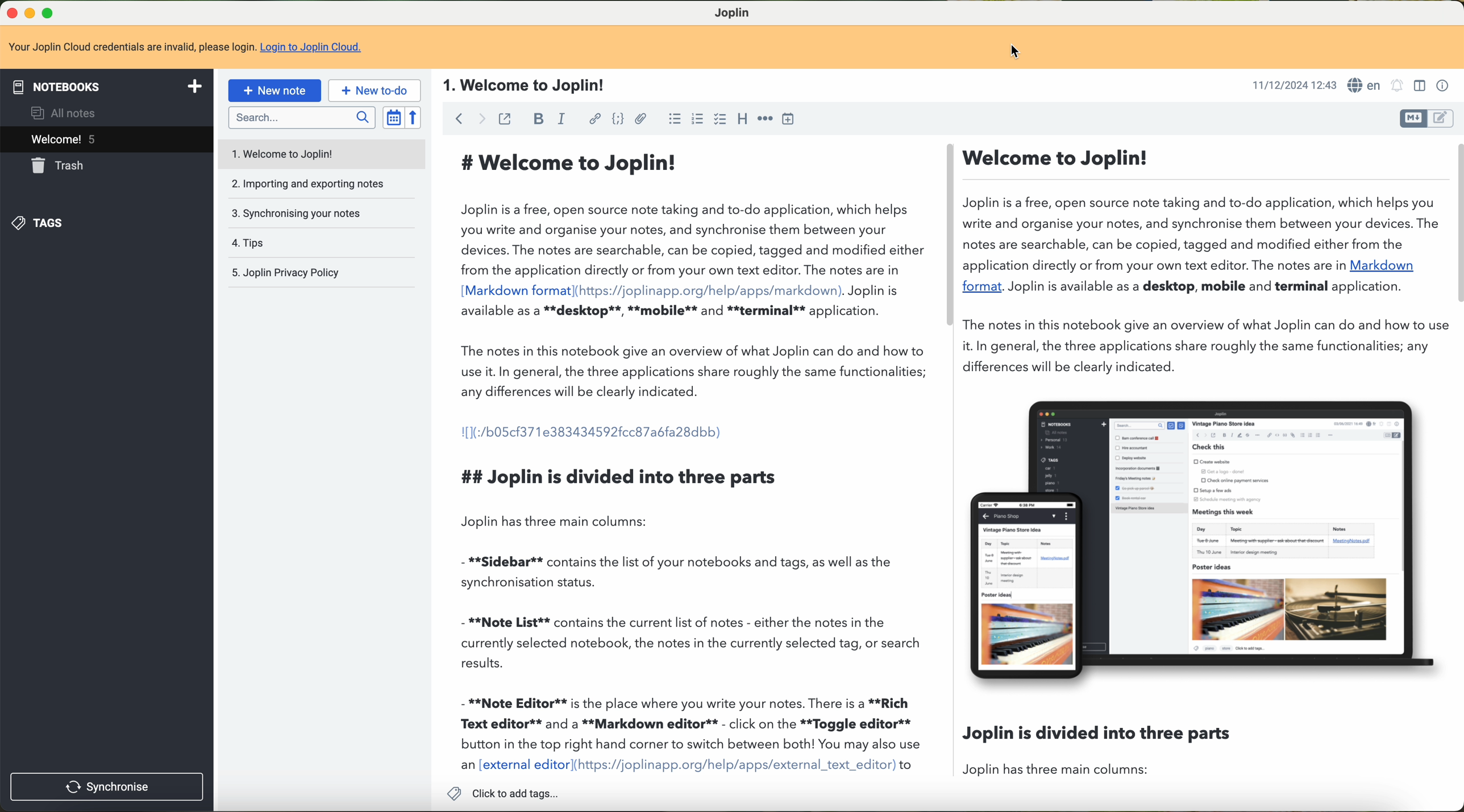  Describe the element at coordinates (52, 14) in the screenshot. I see `maximize` at that location.